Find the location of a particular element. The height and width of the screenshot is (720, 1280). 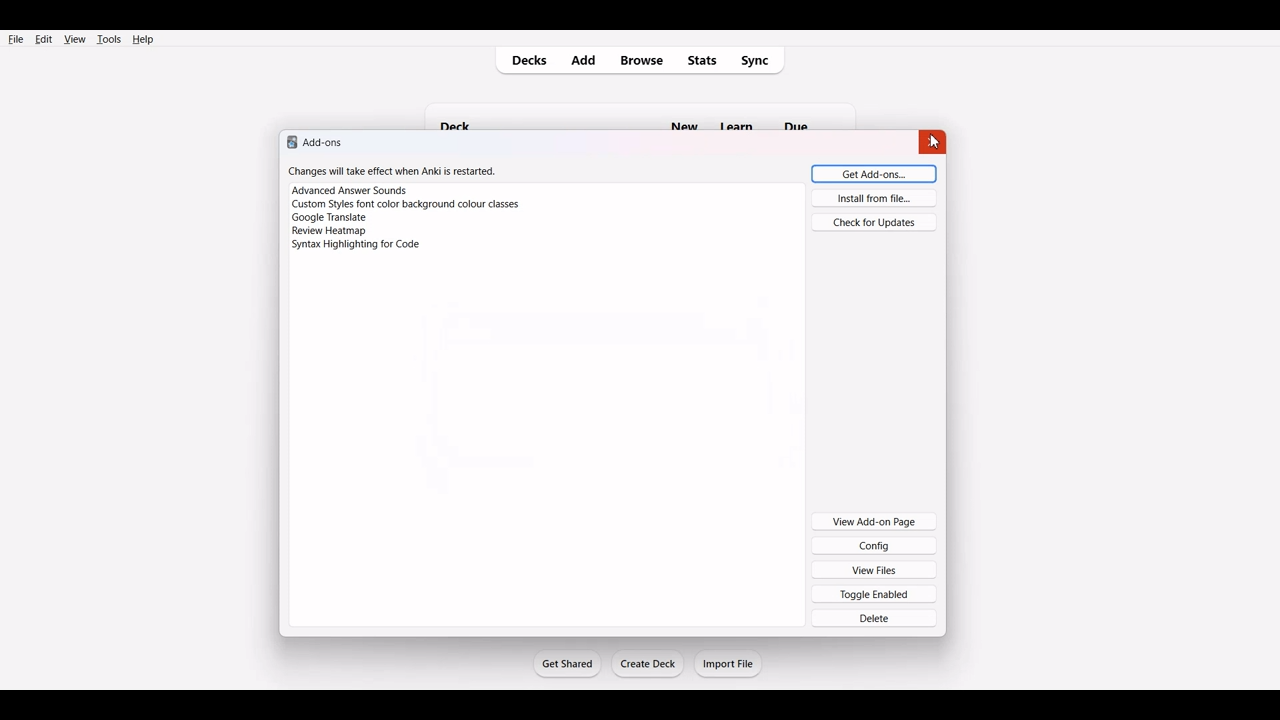

Browse is located at coordinates (641, 61).